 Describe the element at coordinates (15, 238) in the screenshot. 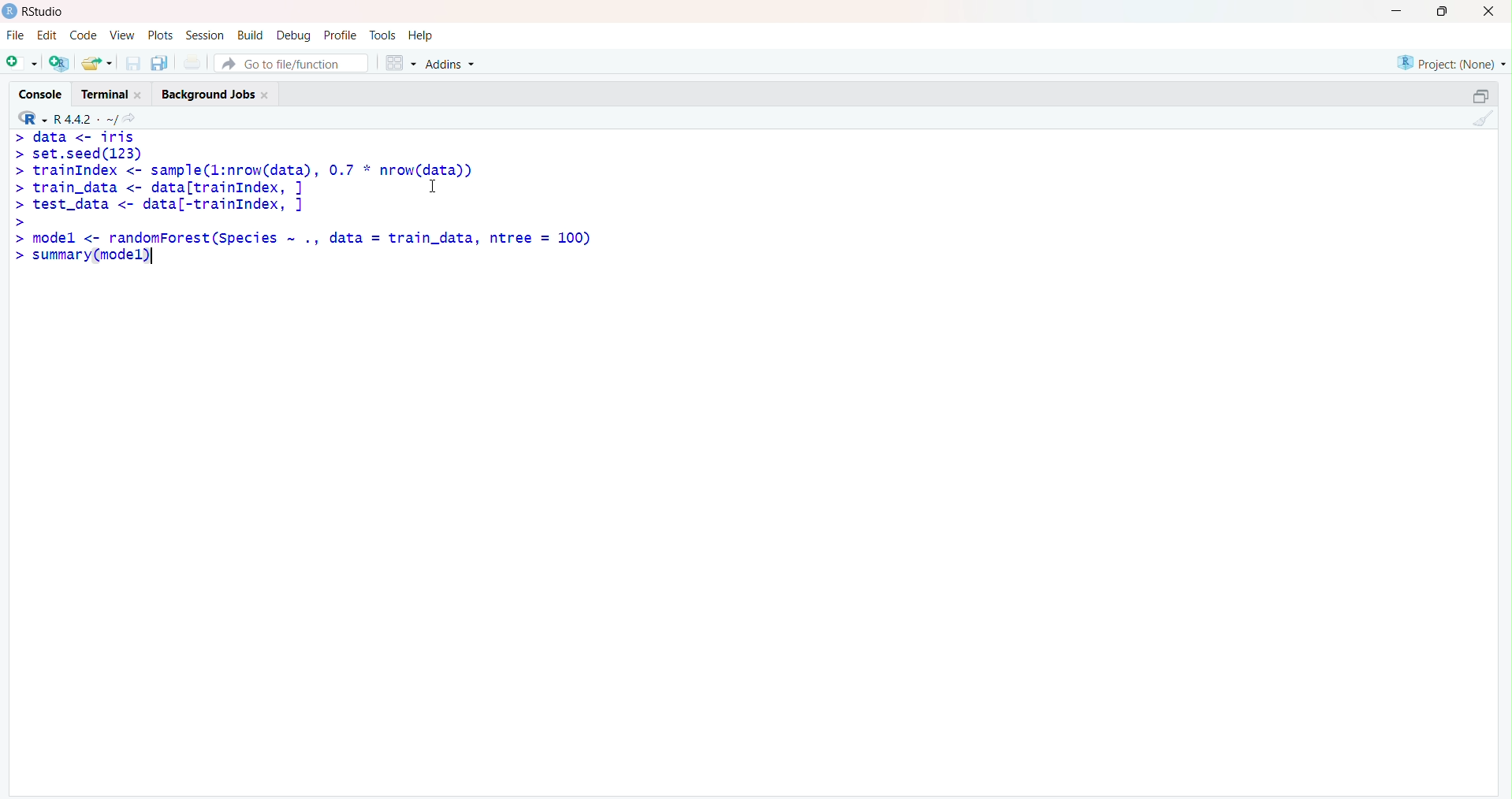

I see `Prompt cursor` at that location.